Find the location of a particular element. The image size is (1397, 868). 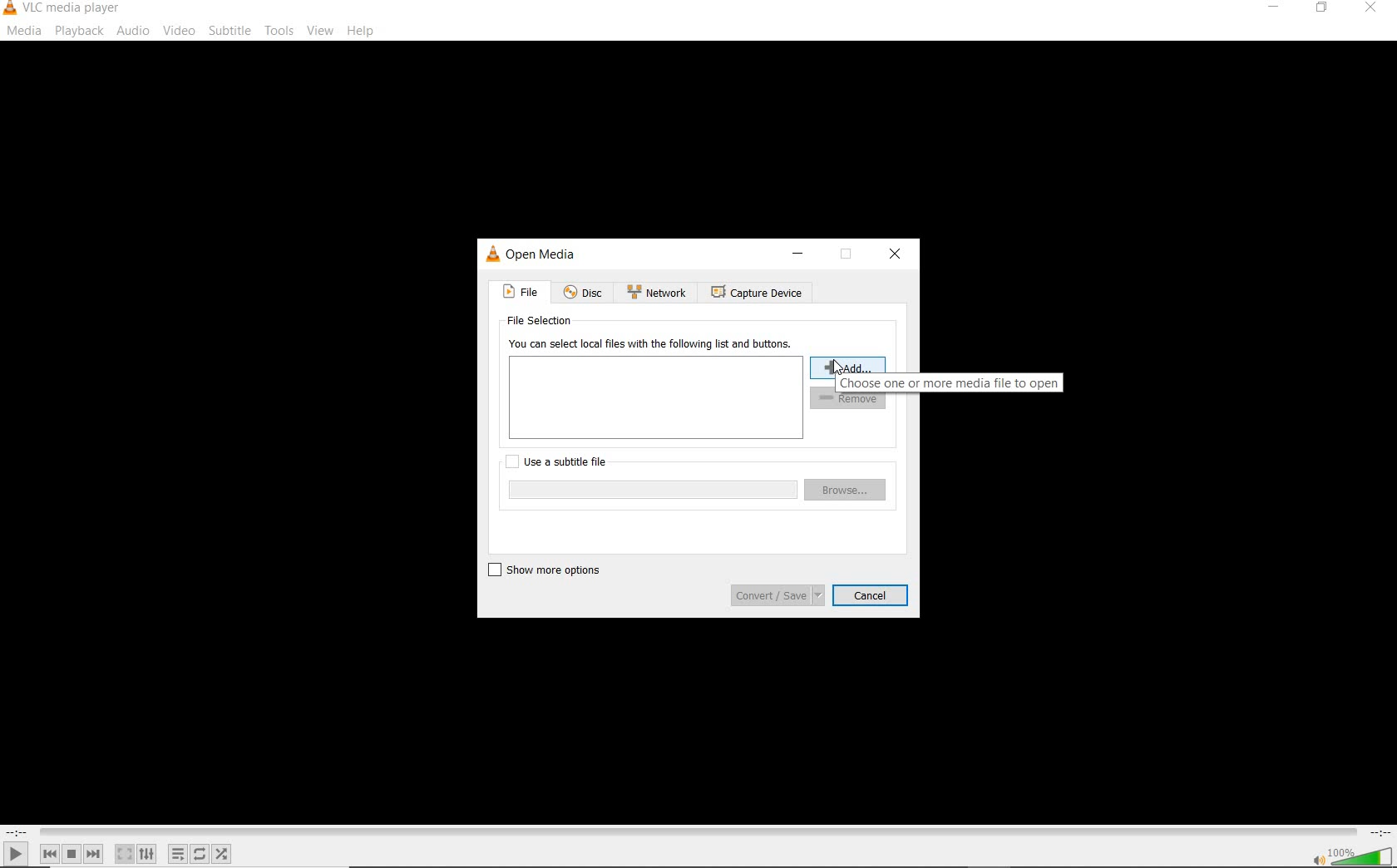

disc is located at coordinates (584, 293).